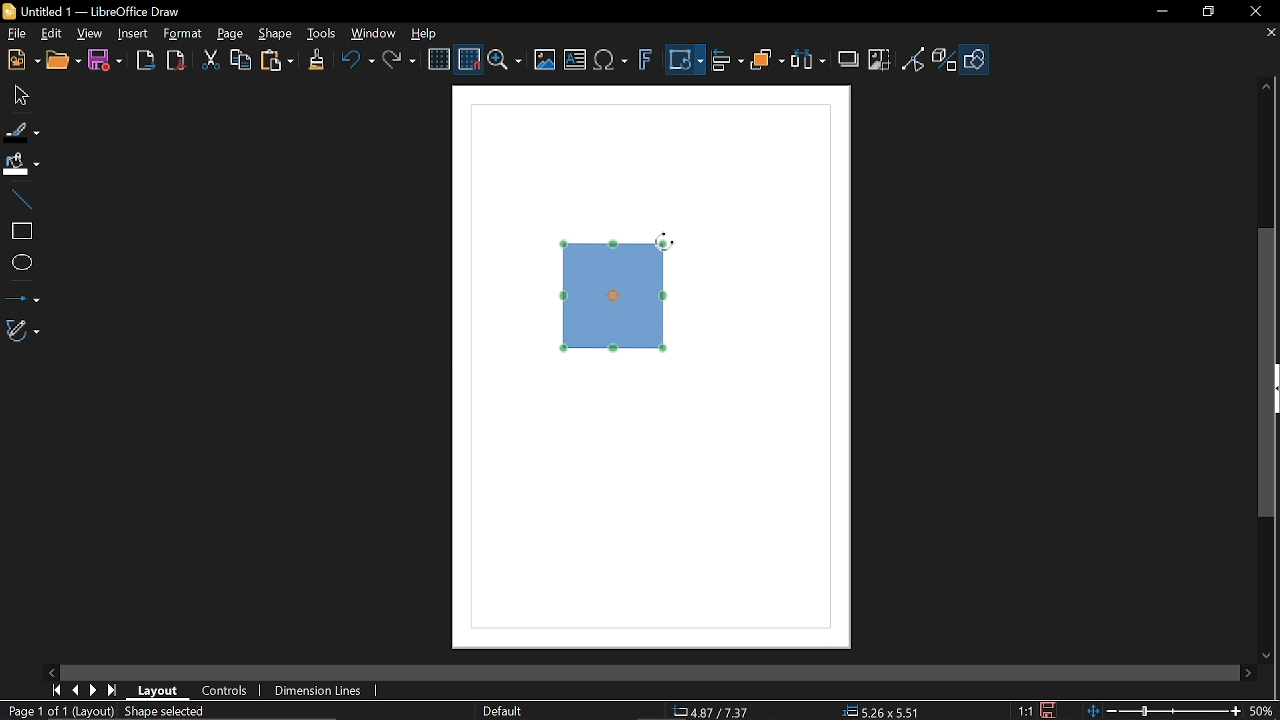 This screenshot has height=720, width=1280. I want to click on Open, so click(64, 60).